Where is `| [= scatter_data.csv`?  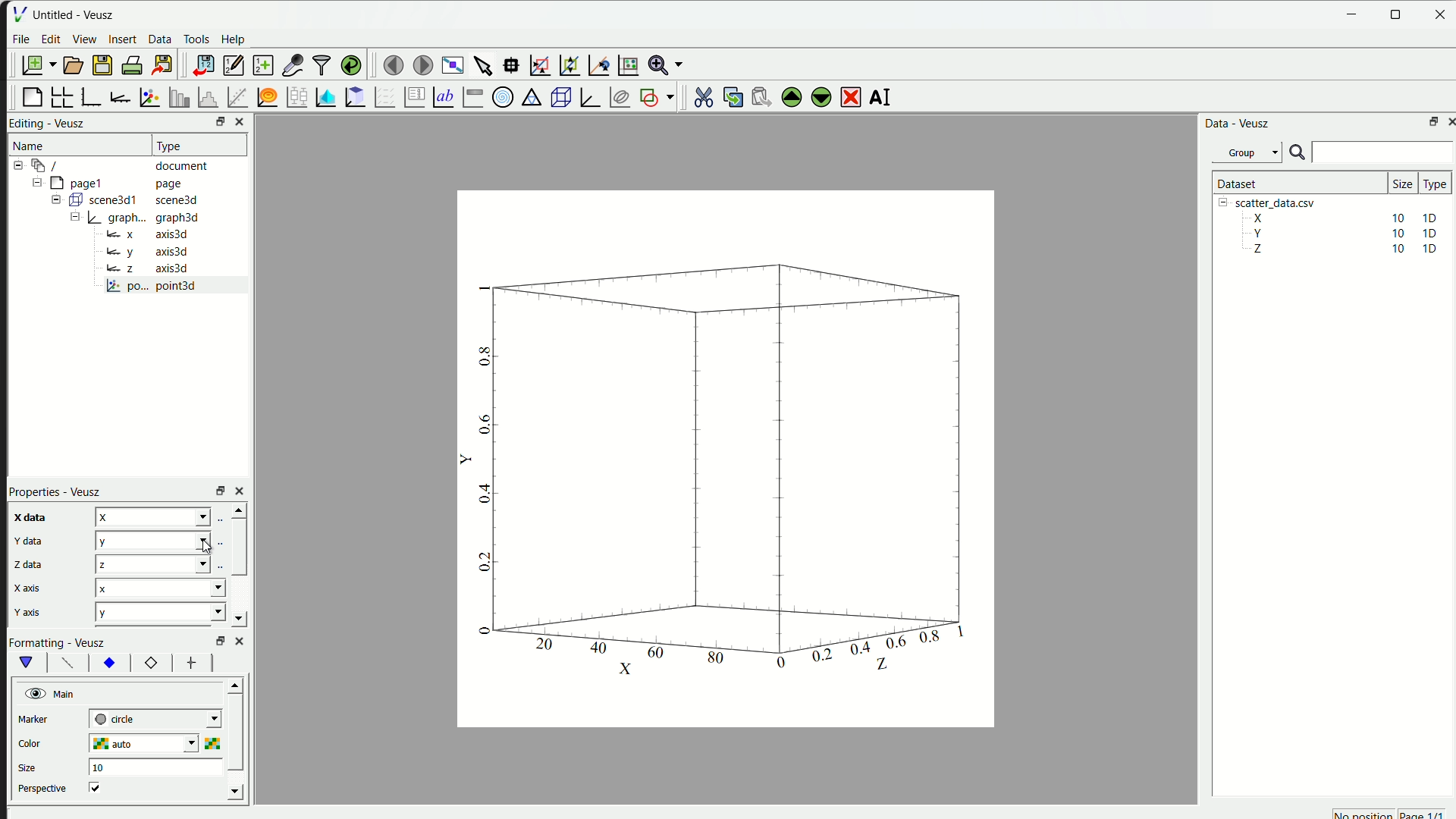 | [= scatter_data.csv is located at coordinates (1272, 202).